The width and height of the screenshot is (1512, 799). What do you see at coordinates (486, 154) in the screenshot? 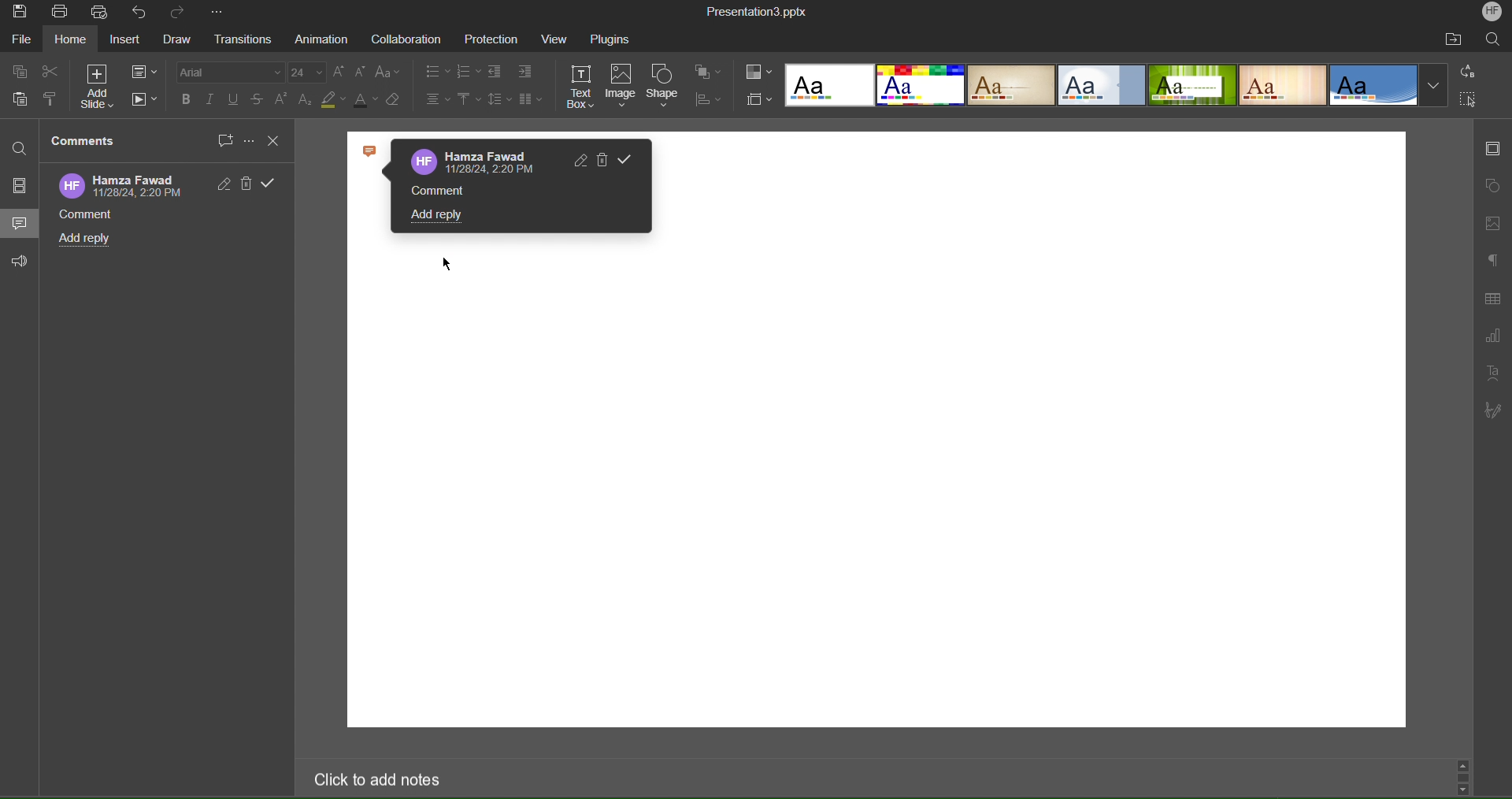
I see `Account` at bounding box center [486, 154].